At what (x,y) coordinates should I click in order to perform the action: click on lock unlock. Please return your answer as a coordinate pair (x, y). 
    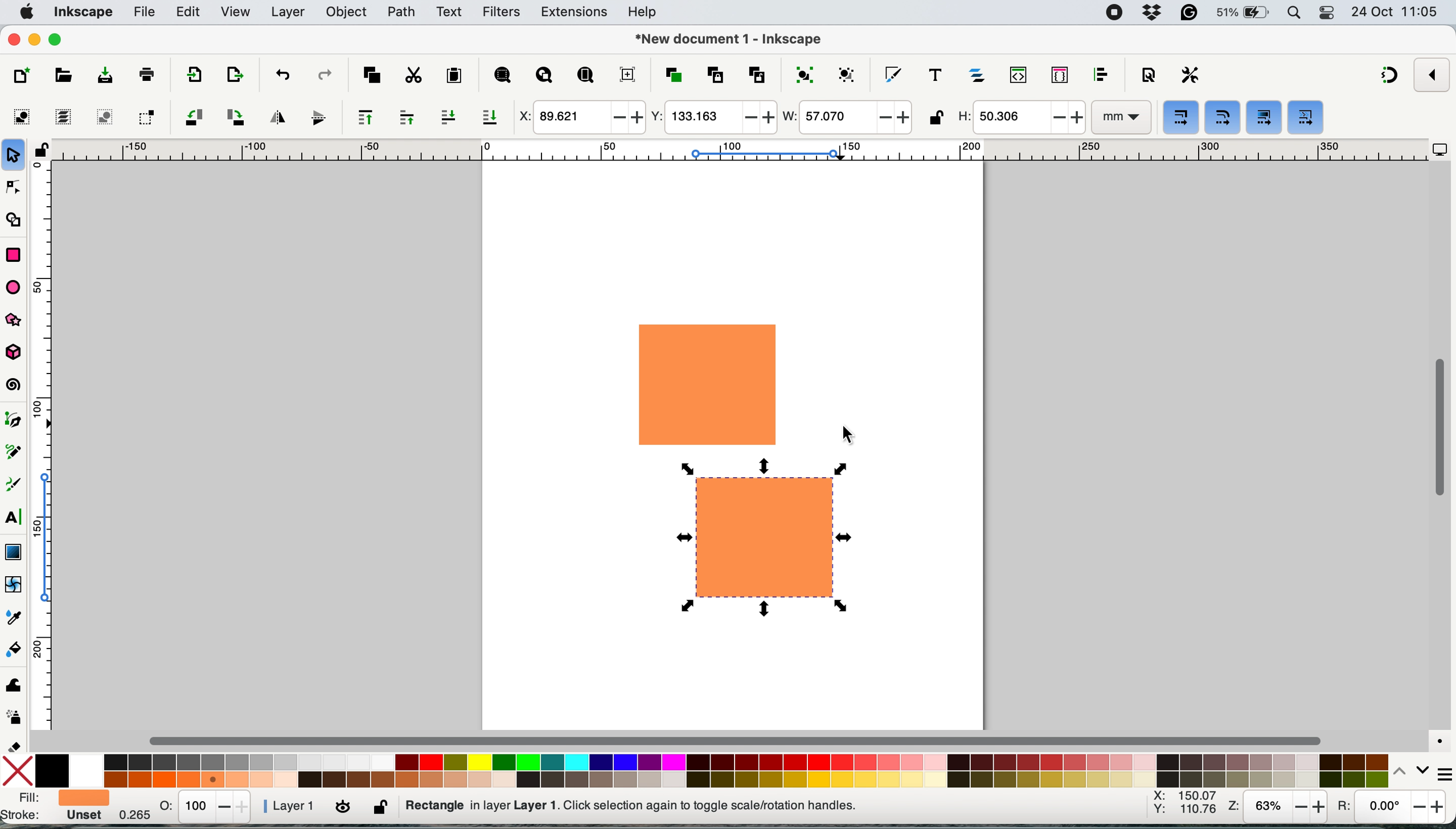
    Looking at the image, I should click on (936, 119).